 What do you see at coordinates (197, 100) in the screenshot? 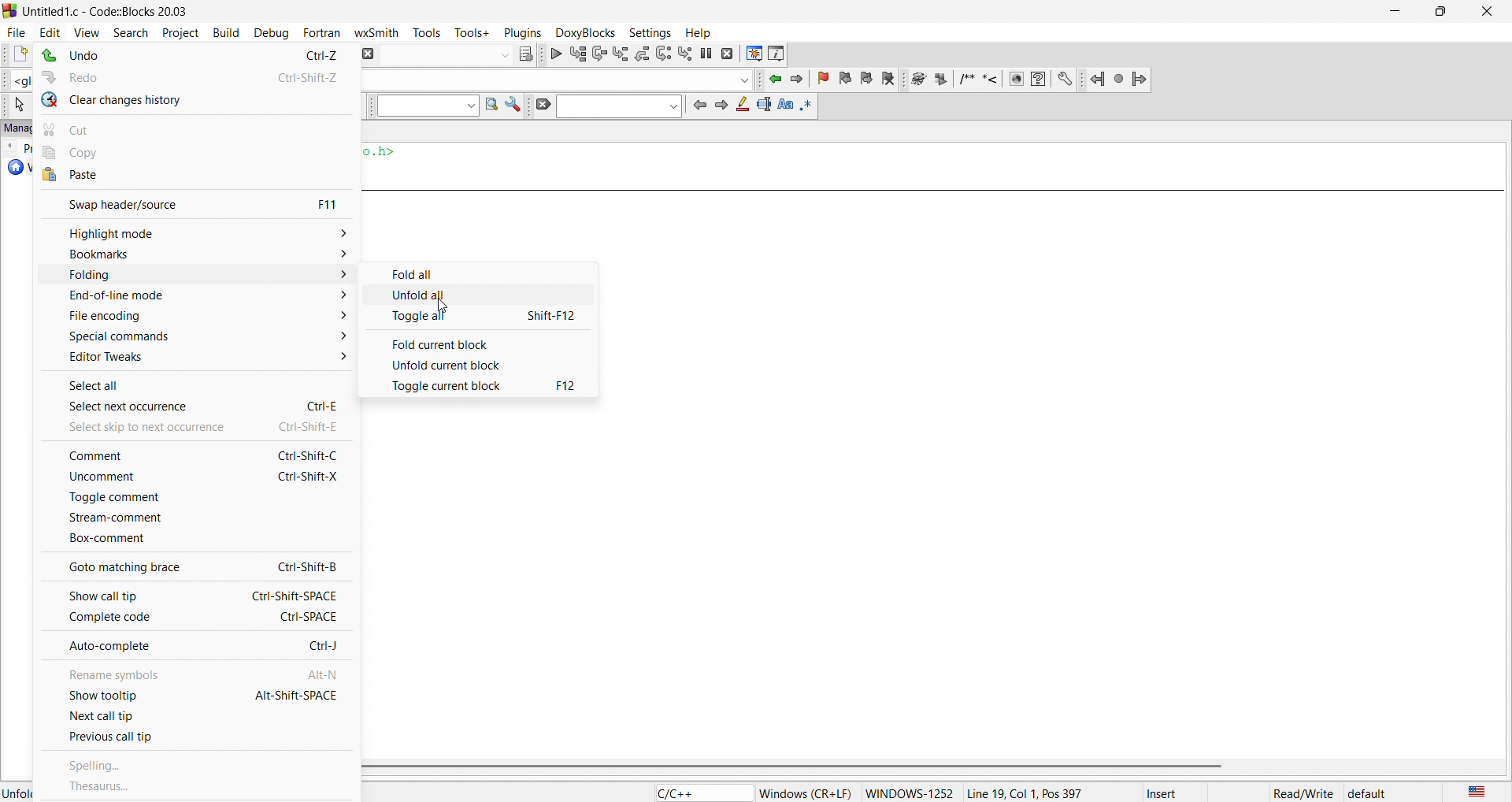
I see `clear changes history` at bounding box center [197, 100].